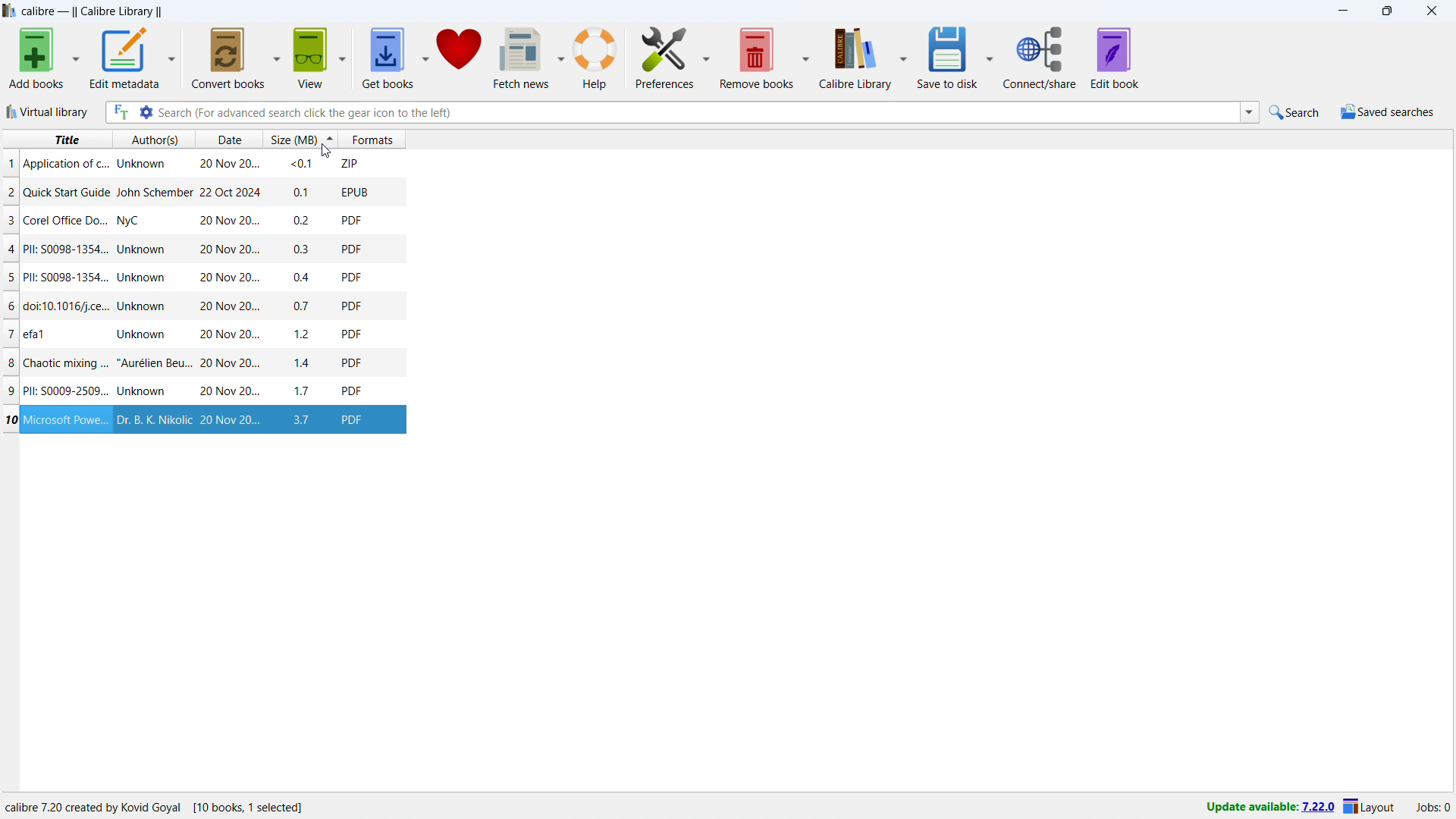 The image size is (1456, 819). I want to click on title, so click(67, 334).